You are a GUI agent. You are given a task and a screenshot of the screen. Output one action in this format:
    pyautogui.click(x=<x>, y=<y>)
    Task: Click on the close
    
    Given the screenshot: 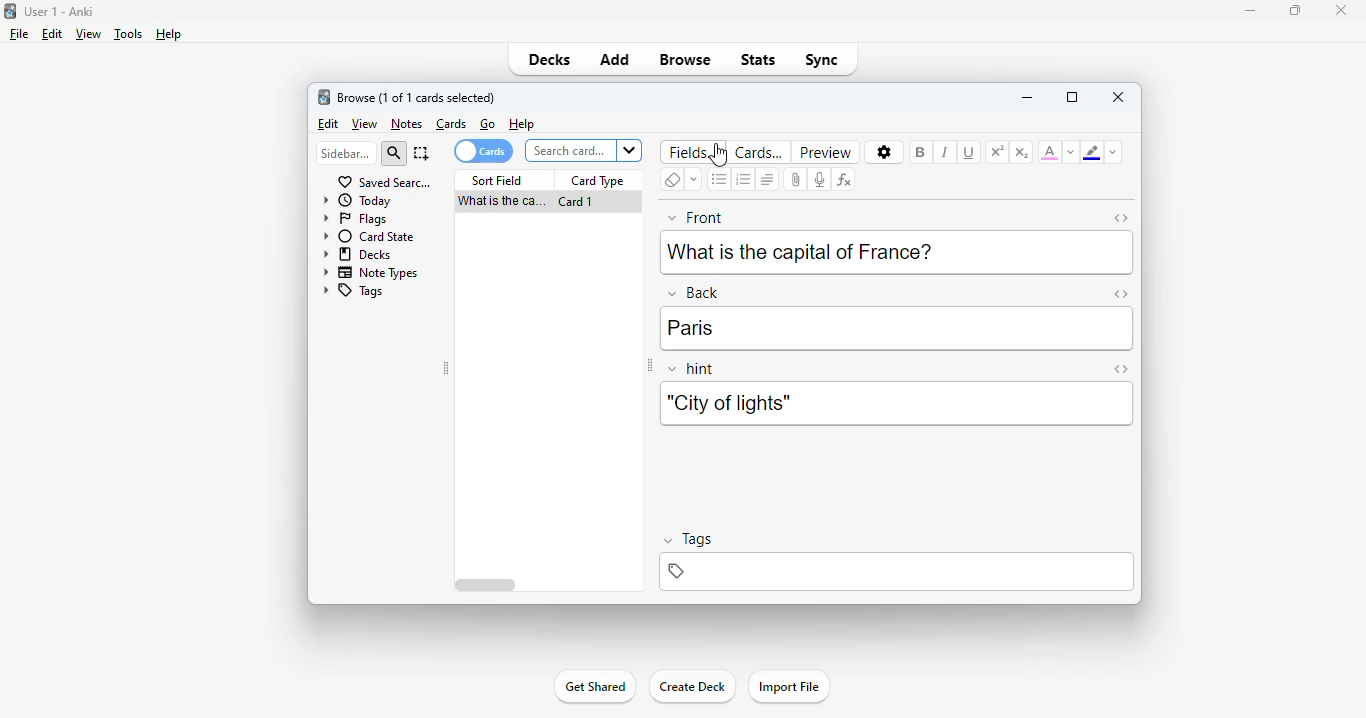 What is the action you would take?
    pyautogui.click(x=1119, y=96)
    